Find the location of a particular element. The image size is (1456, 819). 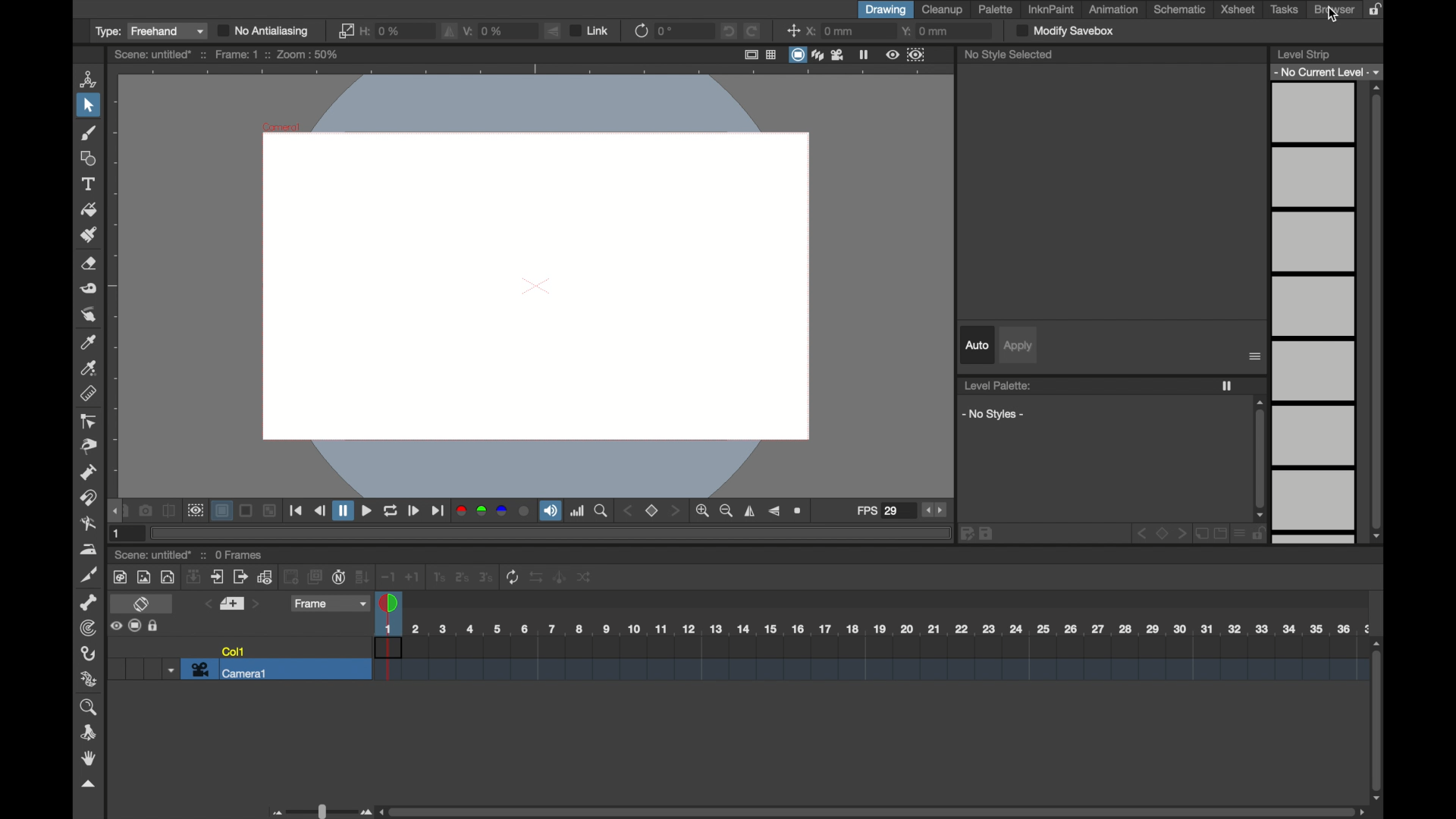

level  palette is located at coordinates (999, 384).